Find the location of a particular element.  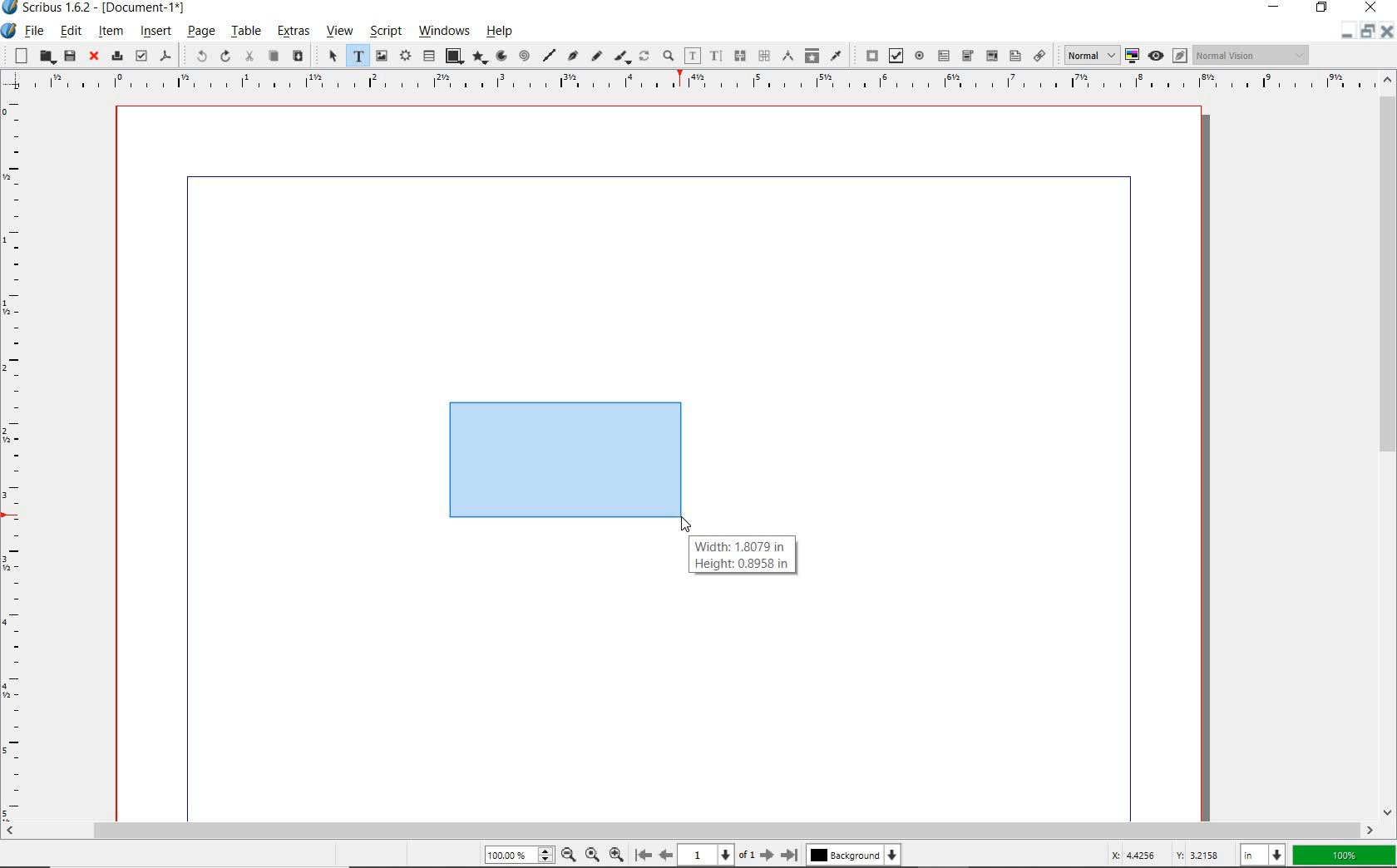

pdf push button is located at coordinates (867, 55).